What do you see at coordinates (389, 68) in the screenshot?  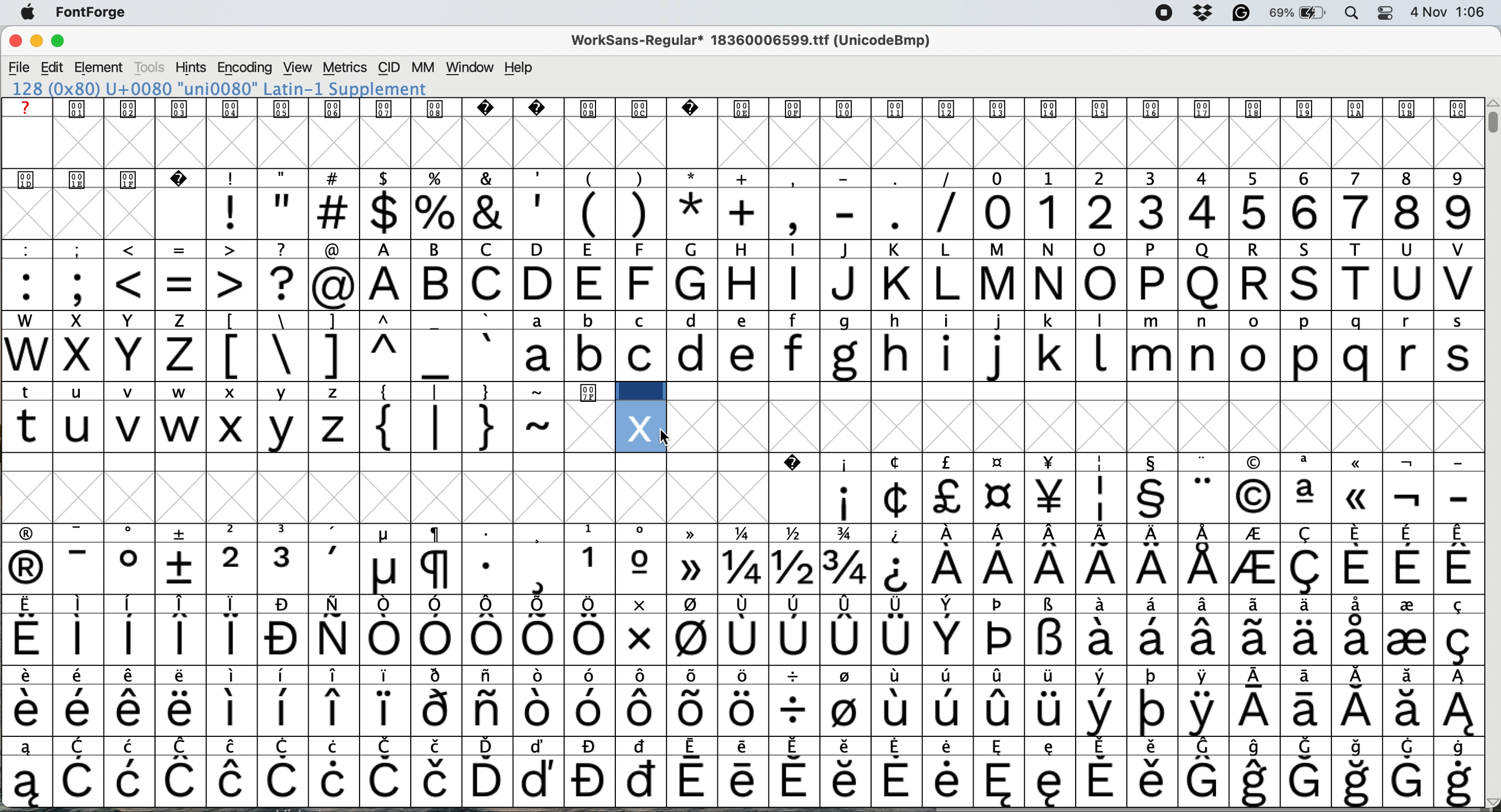 I see `cid` at bounding box center [389, 68].